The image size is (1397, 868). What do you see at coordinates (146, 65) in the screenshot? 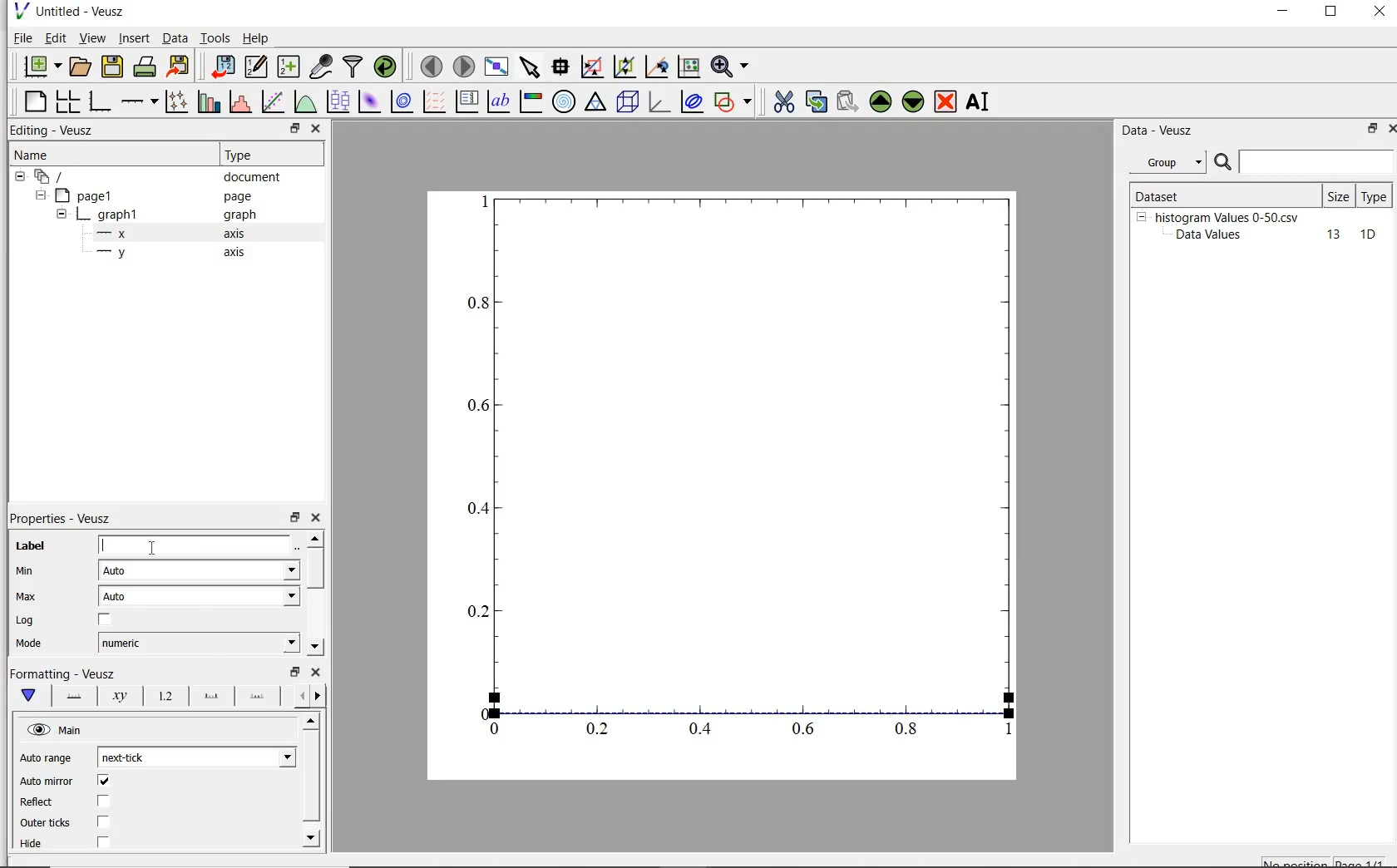
I see `print the document` at bounding box center [146, 65].